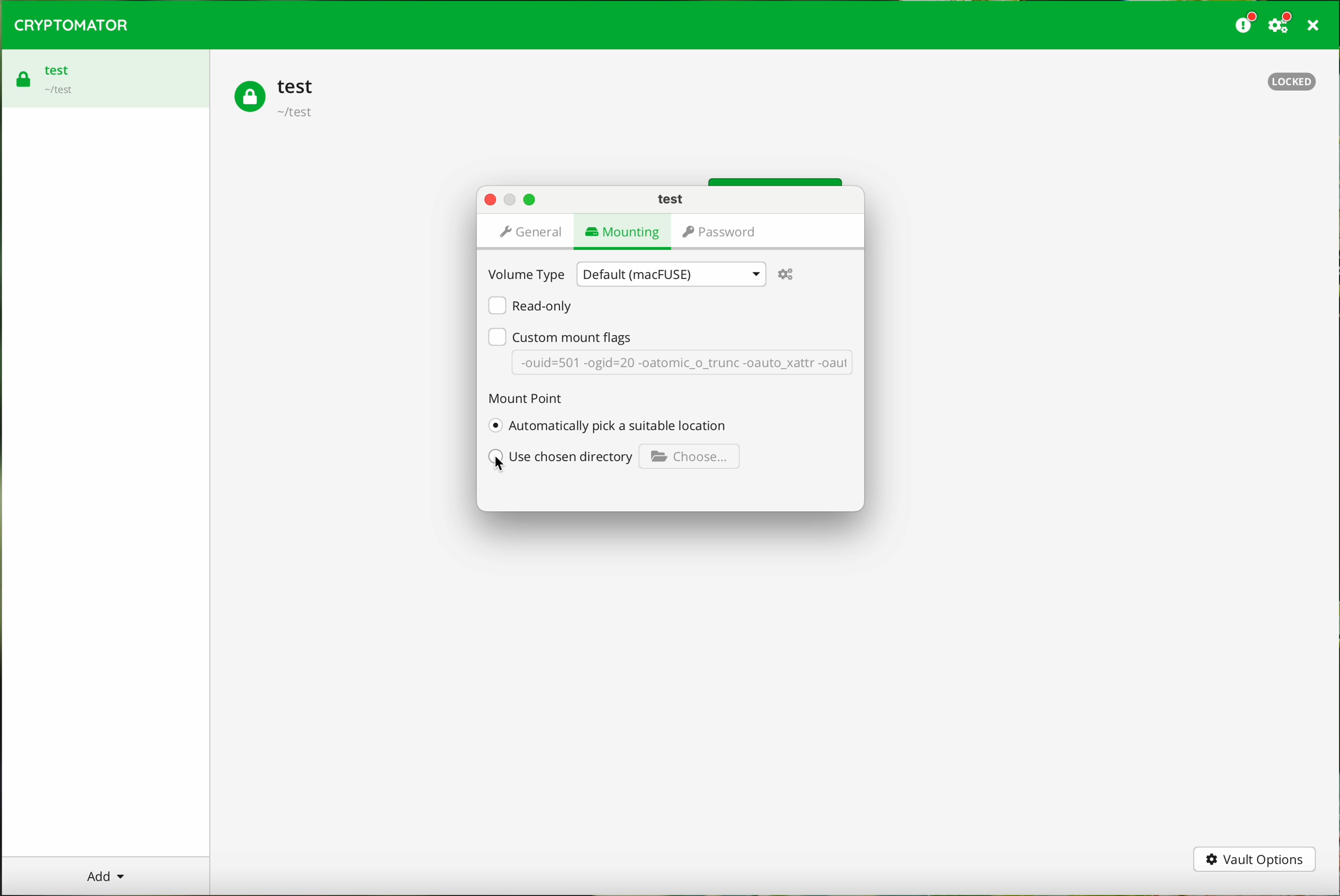  Describe the element at coordinates (690, 458) in the screenshot. I see `Choose` at that location.